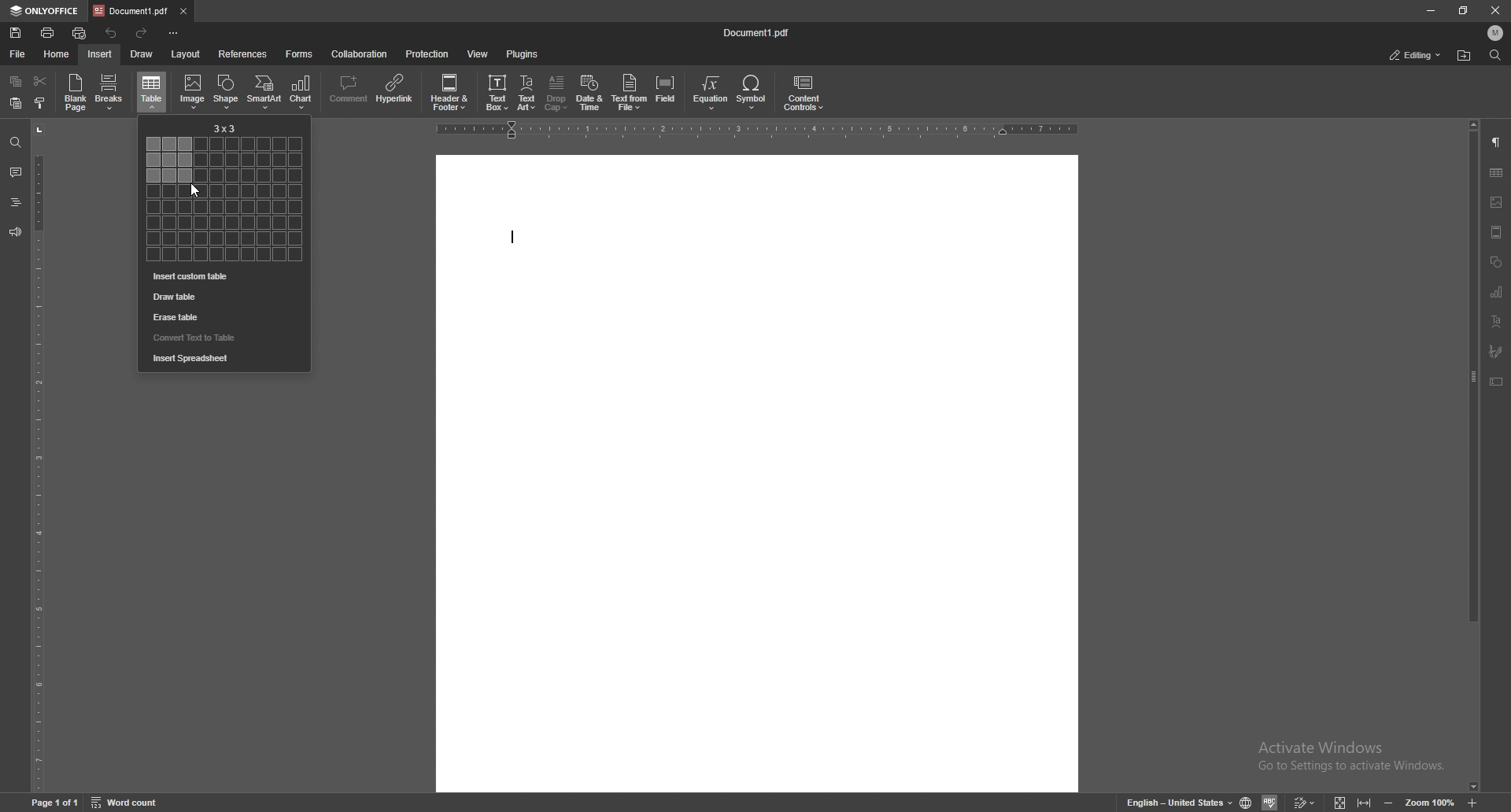  What do you see at coordinates (1498, 351) in the screenshot?
I see `signature field` at bounding box center [1498, 351].